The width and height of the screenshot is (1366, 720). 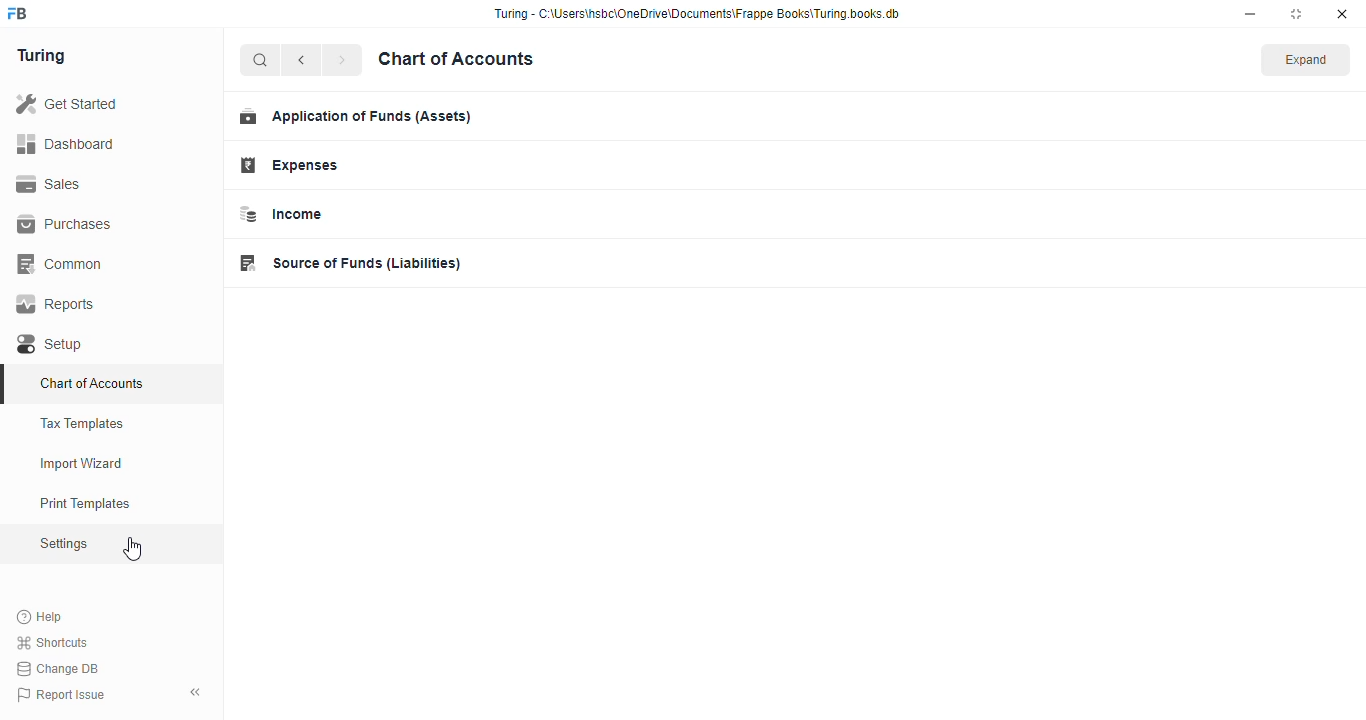 What do you see at coordinates (1251, 14) in the screenshot?
I see `minimize` at bounding box center [1251, 14].